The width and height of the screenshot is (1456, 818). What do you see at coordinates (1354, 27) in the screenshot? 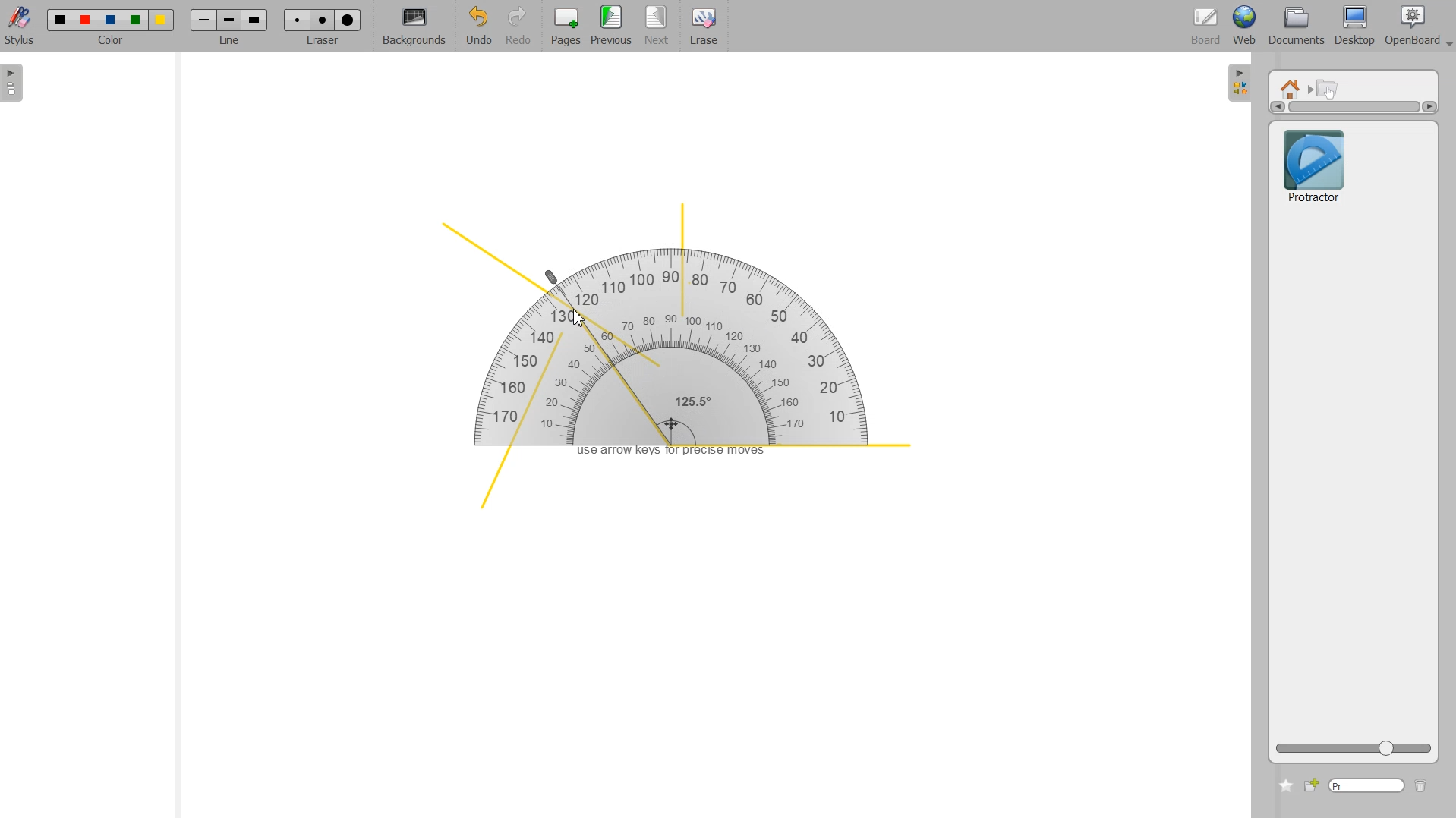
I see `Desktop` at bounding box center [1354, 27].